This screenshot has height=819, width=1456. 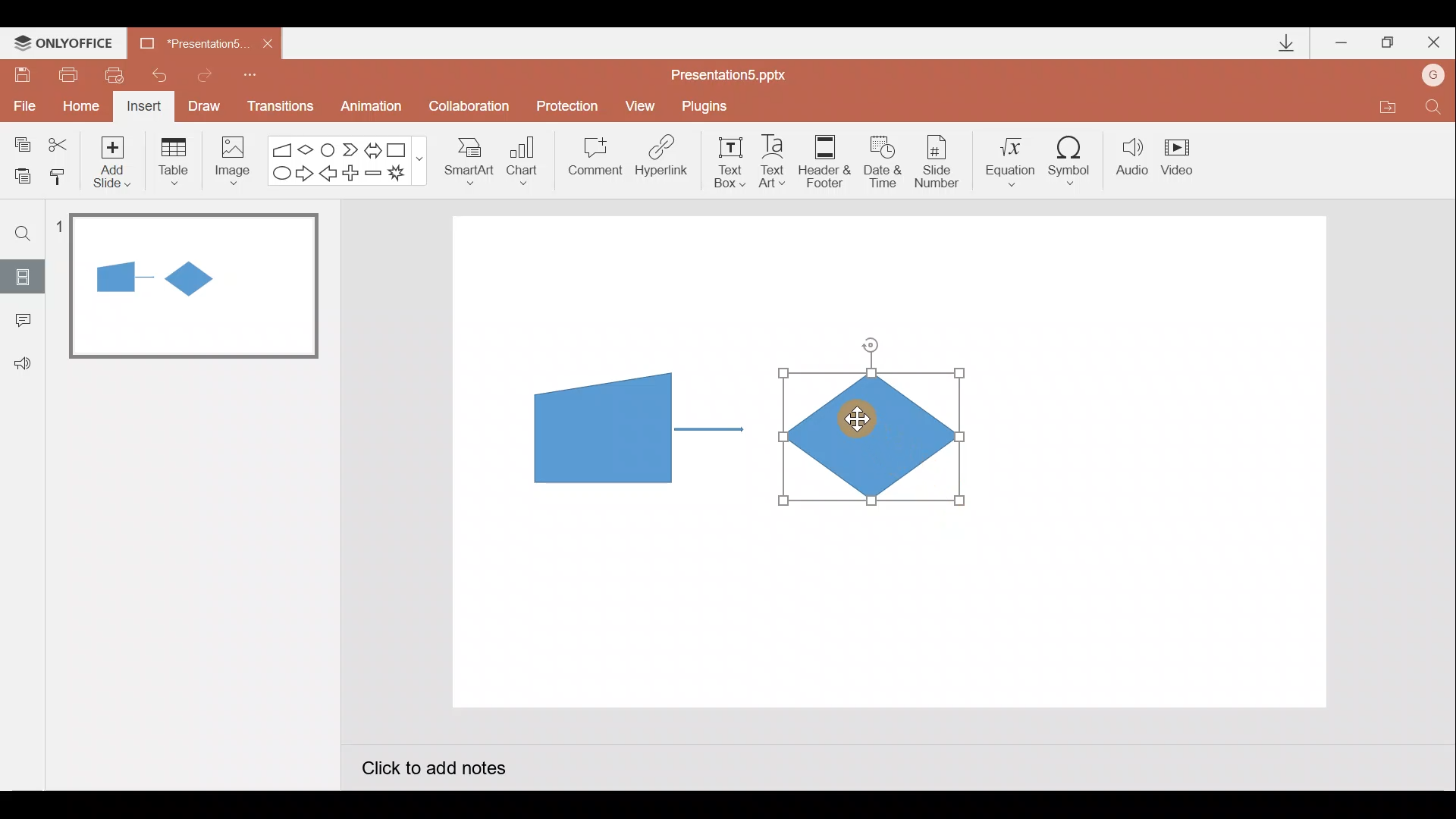 What do you see at coordinates (142, 108) in the screenshot?
I see `Insert` at bounding box center [142, 108].